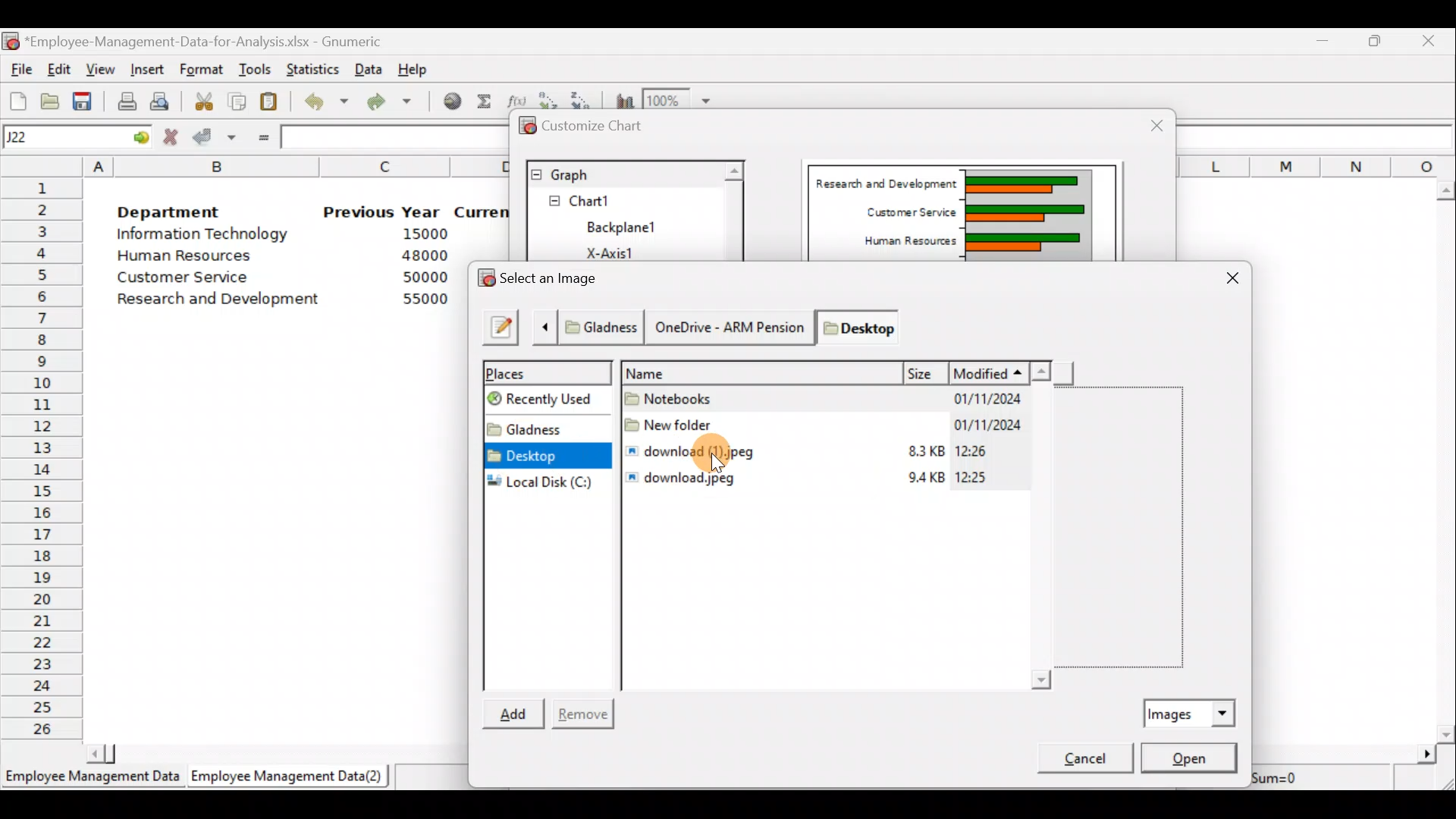 The width and height of the screenshot is (1456, 819). Describe the element at coordinates (214, 139) in the screenshot. I see `Accept change` at that location.